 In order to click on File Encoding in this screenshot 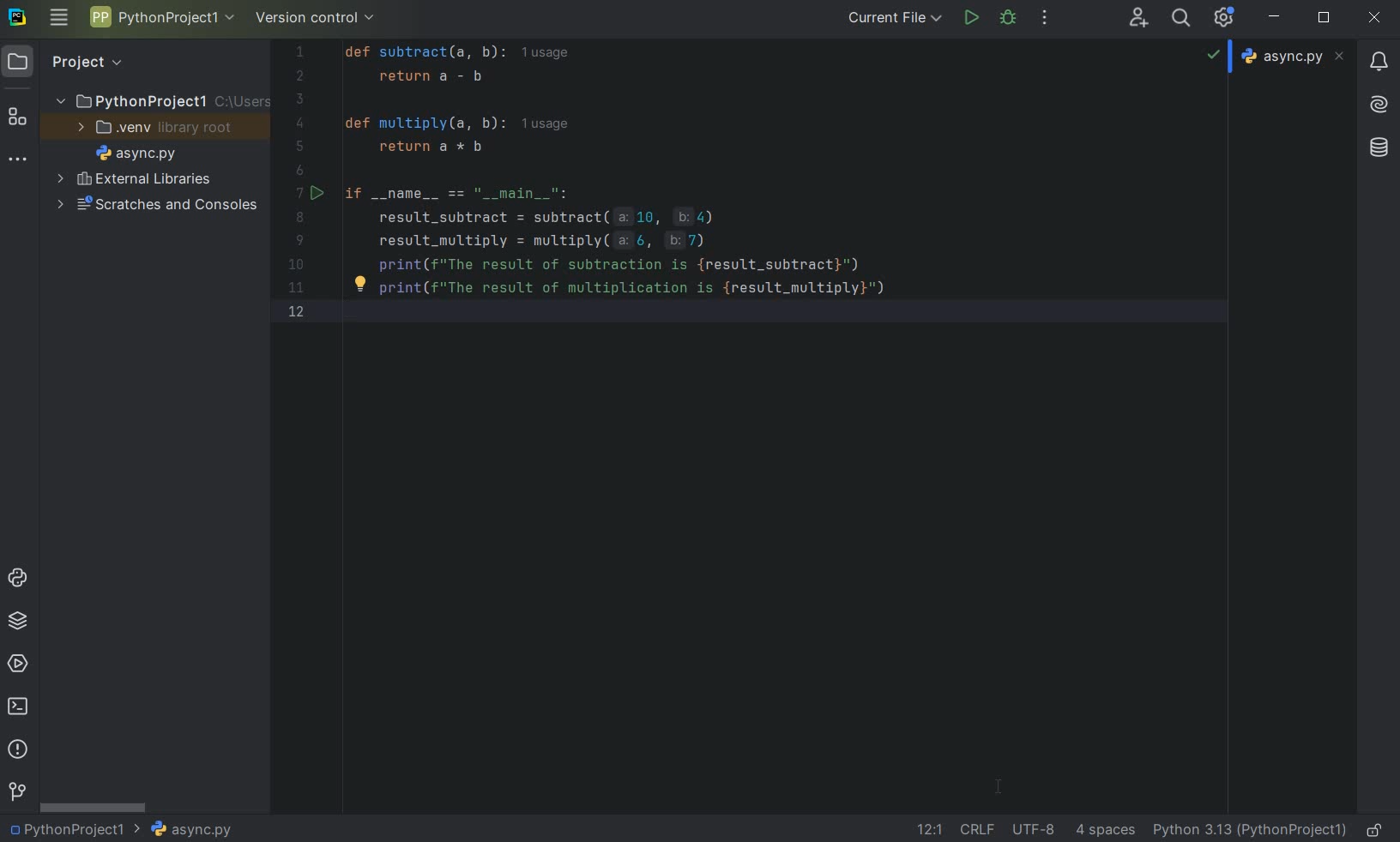, I will do `click(1035, 829)`.